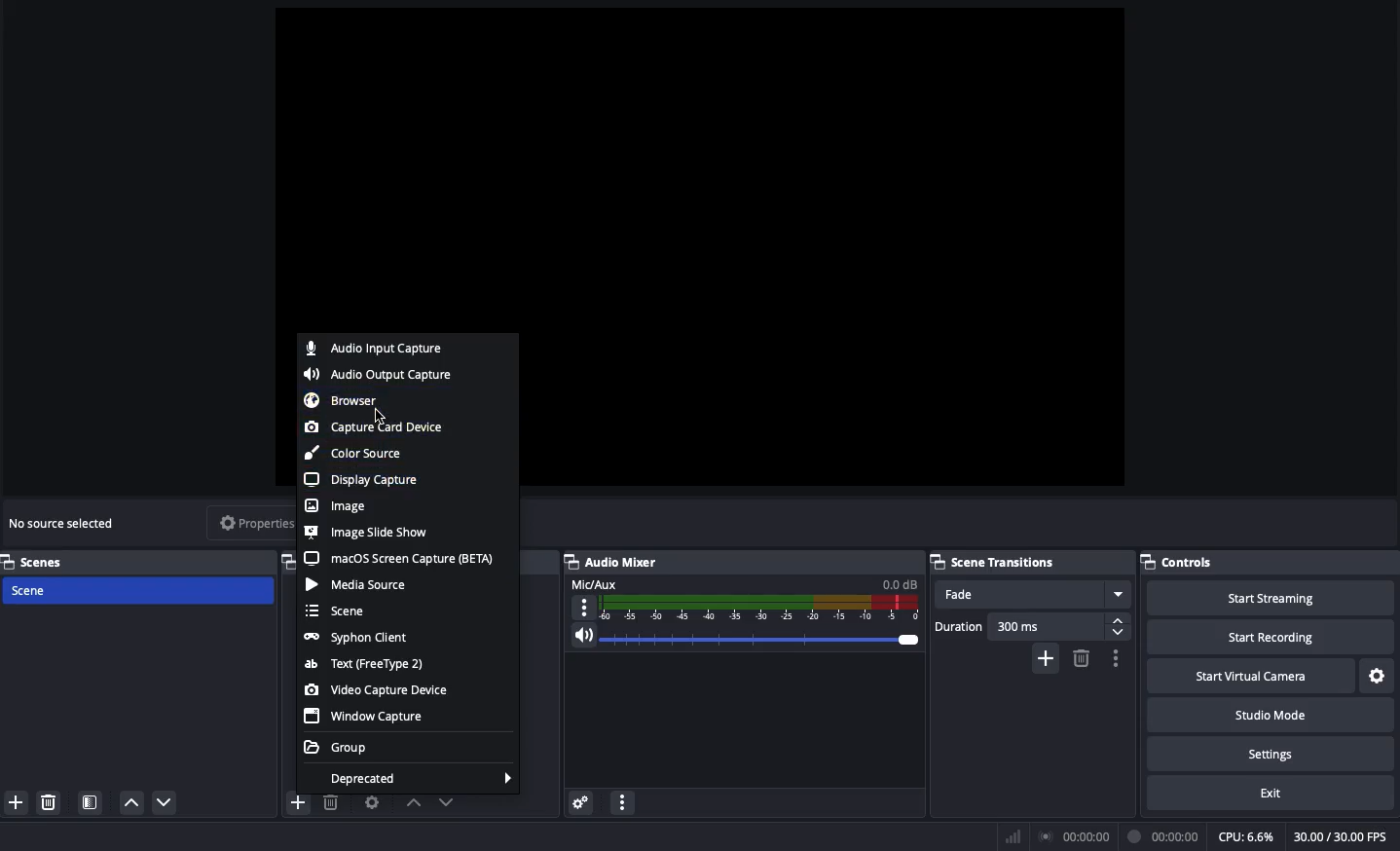 This screenshot has width=1400, height=851. I want to click on add, so click(16, 800).